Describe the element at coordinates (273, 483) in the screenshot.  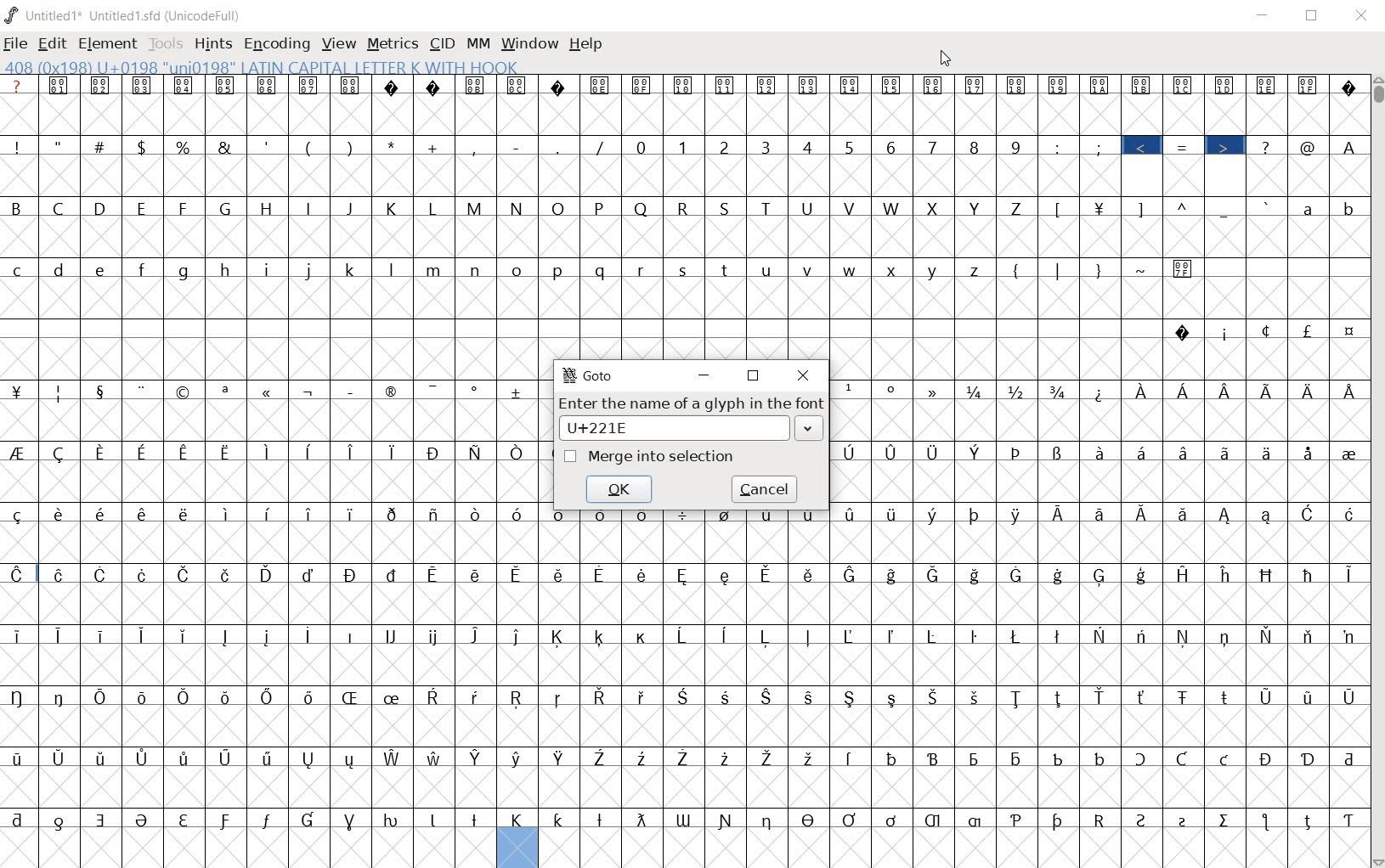
I see `` at that location.